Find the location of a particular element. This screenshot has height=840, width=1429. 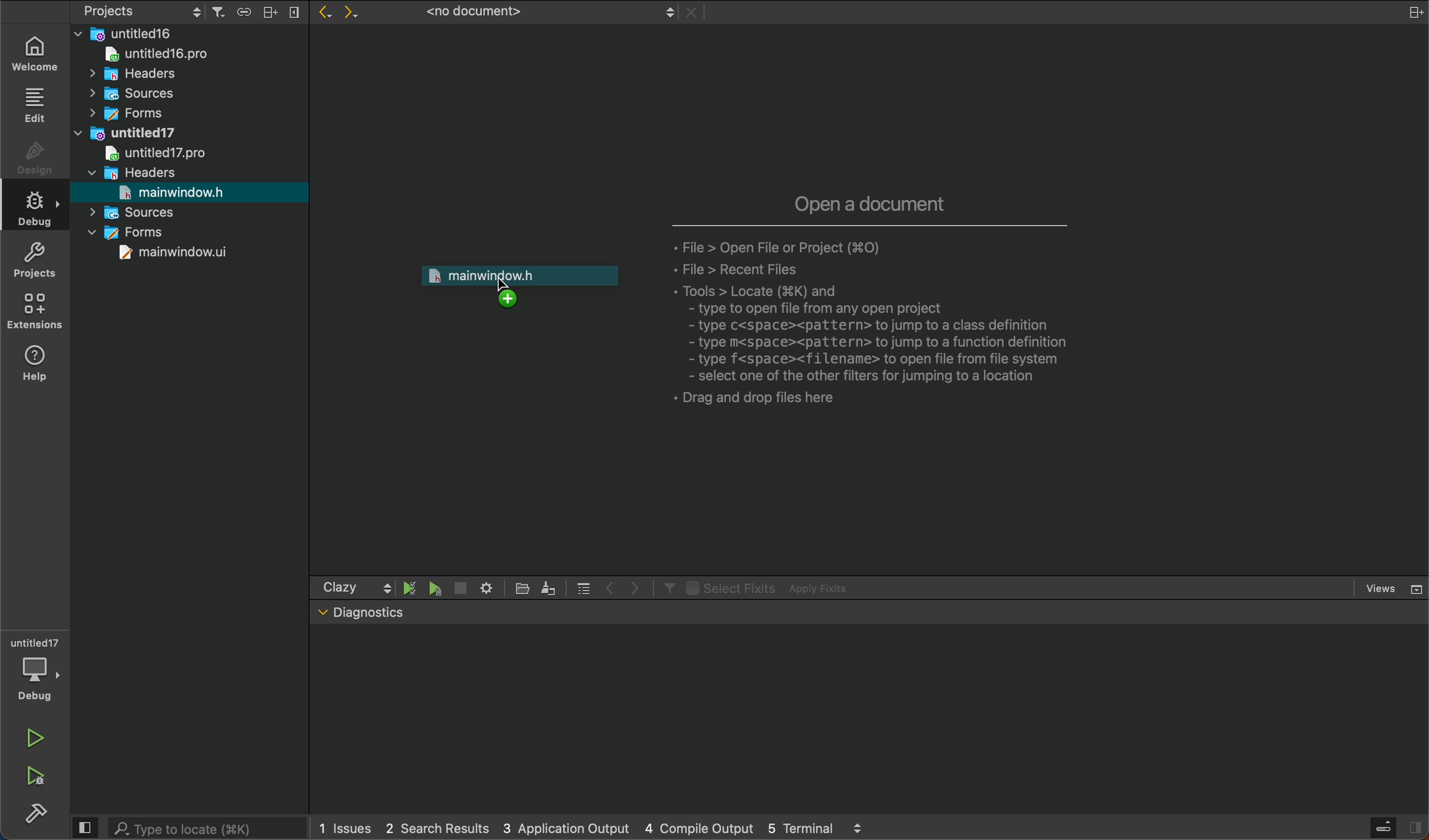

debugger is located at coordinates (33, 670).